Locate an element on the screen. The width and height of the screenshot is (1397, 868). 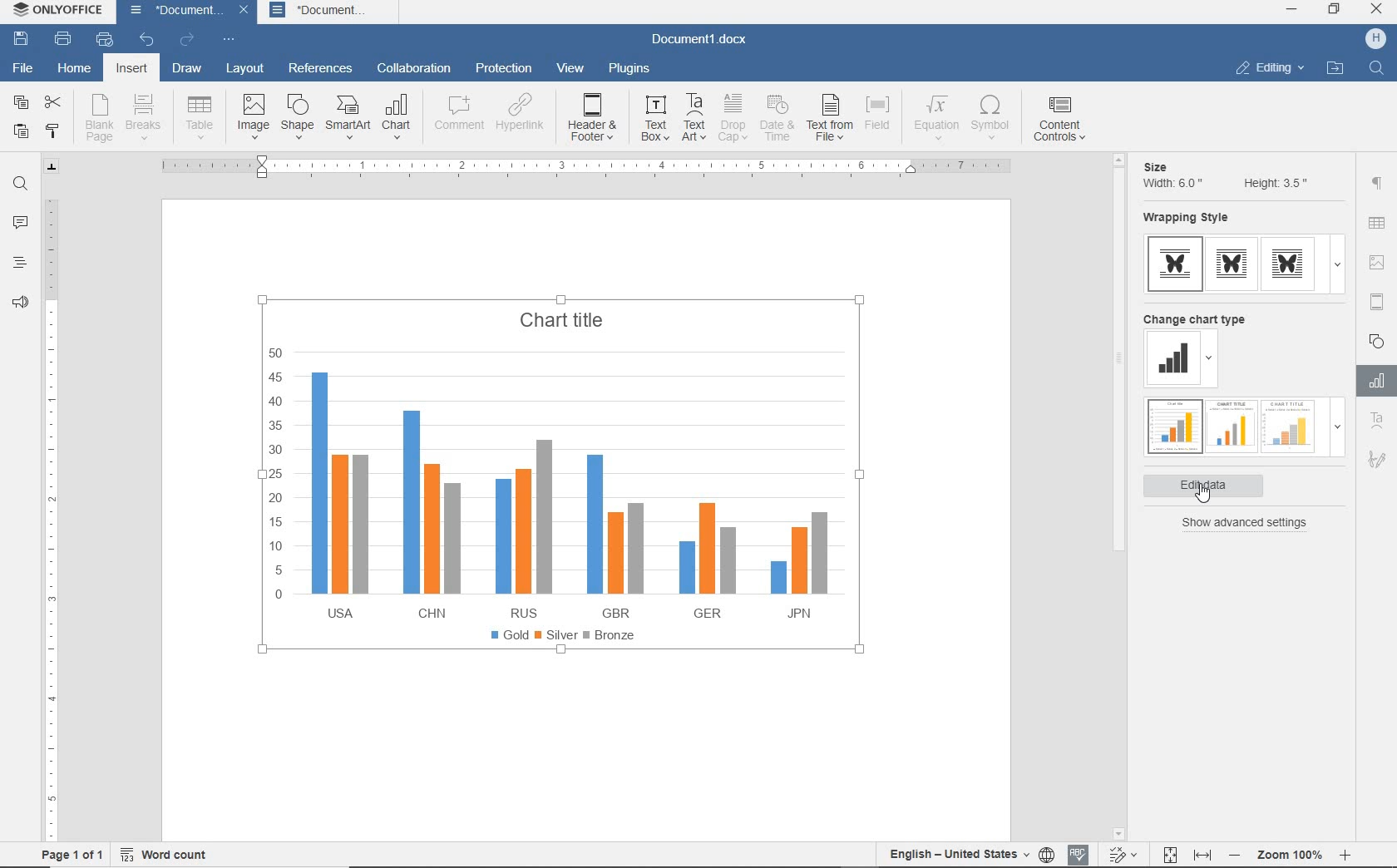
legend is located at coordinates (564, 634).